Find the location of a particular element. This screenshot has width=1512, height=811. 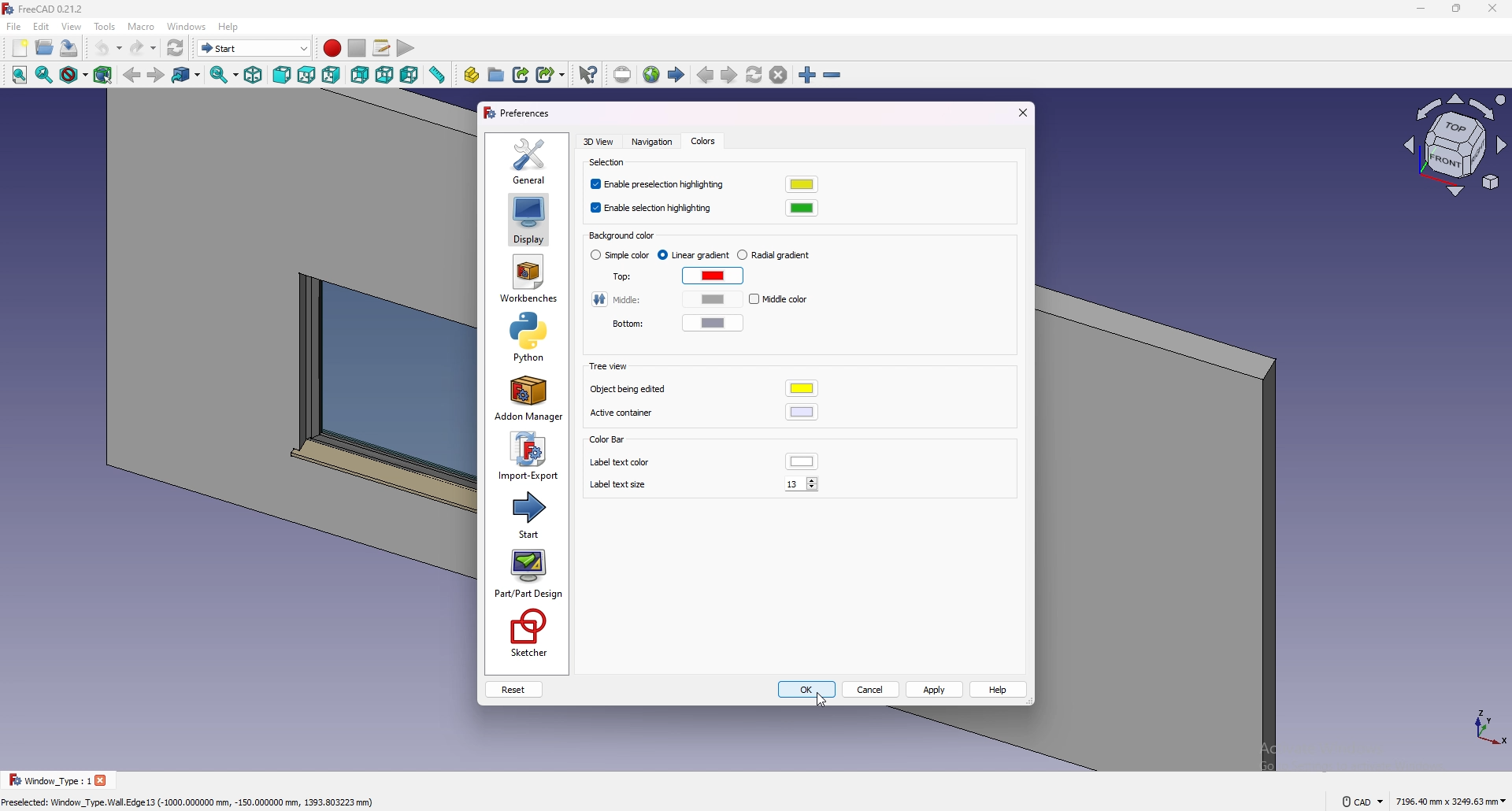

object being edited is located at coordinates (632, 389).